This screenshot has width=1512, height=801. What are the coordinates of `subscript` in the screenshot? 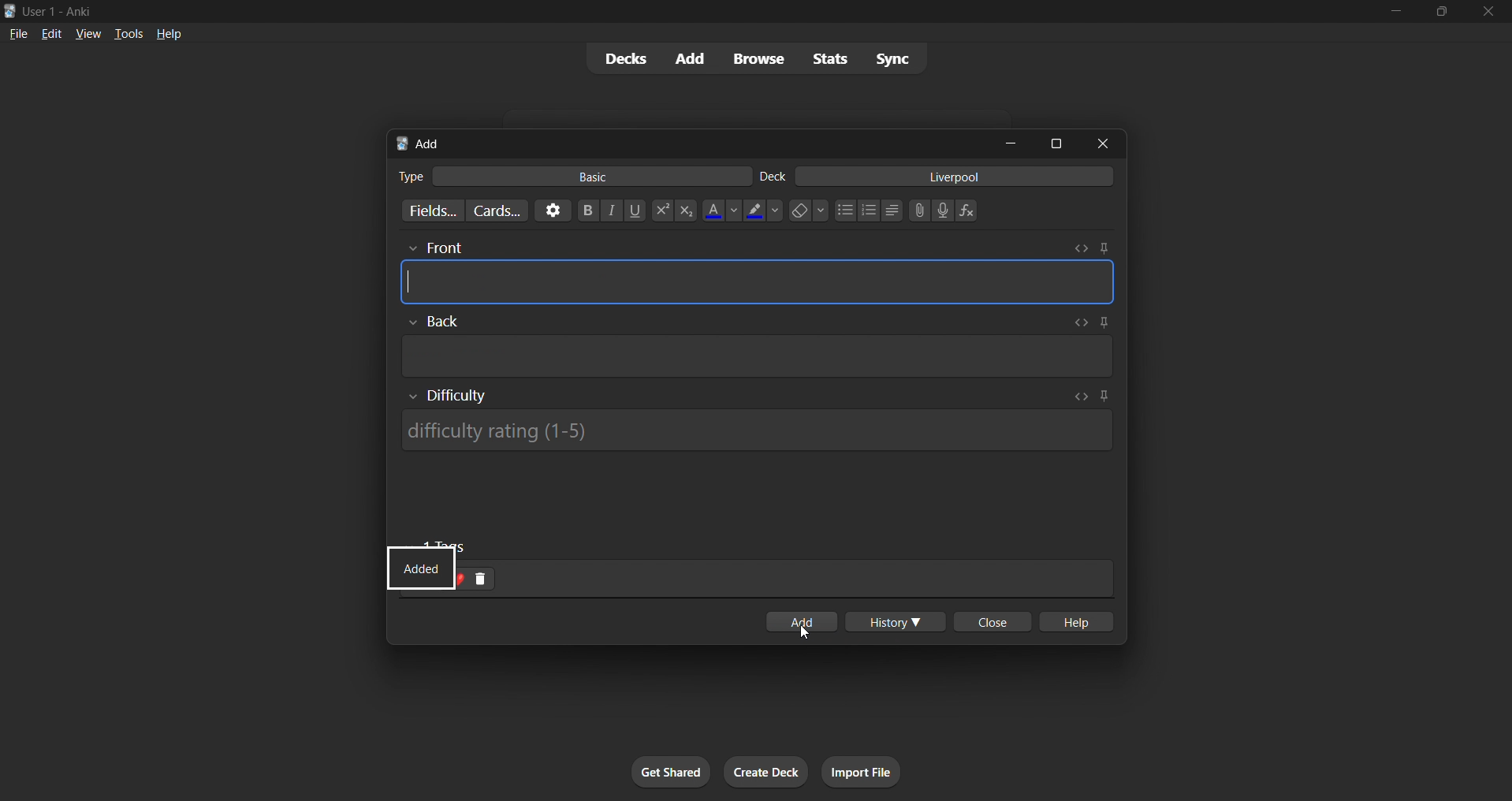 It's located at (684, 210).